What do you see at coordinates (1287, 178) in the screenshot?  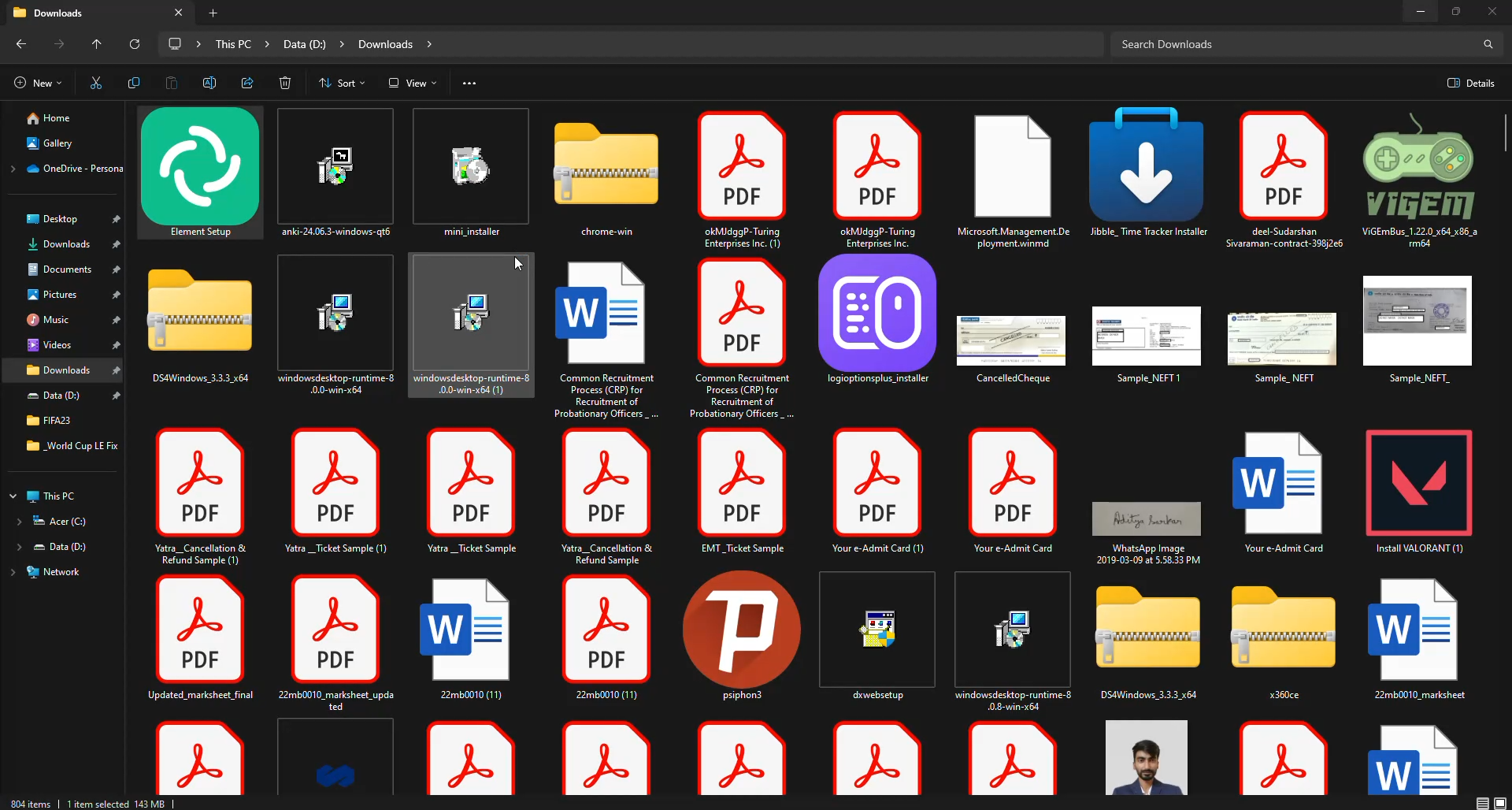 I see `file` at bounding box center [1287, 178].